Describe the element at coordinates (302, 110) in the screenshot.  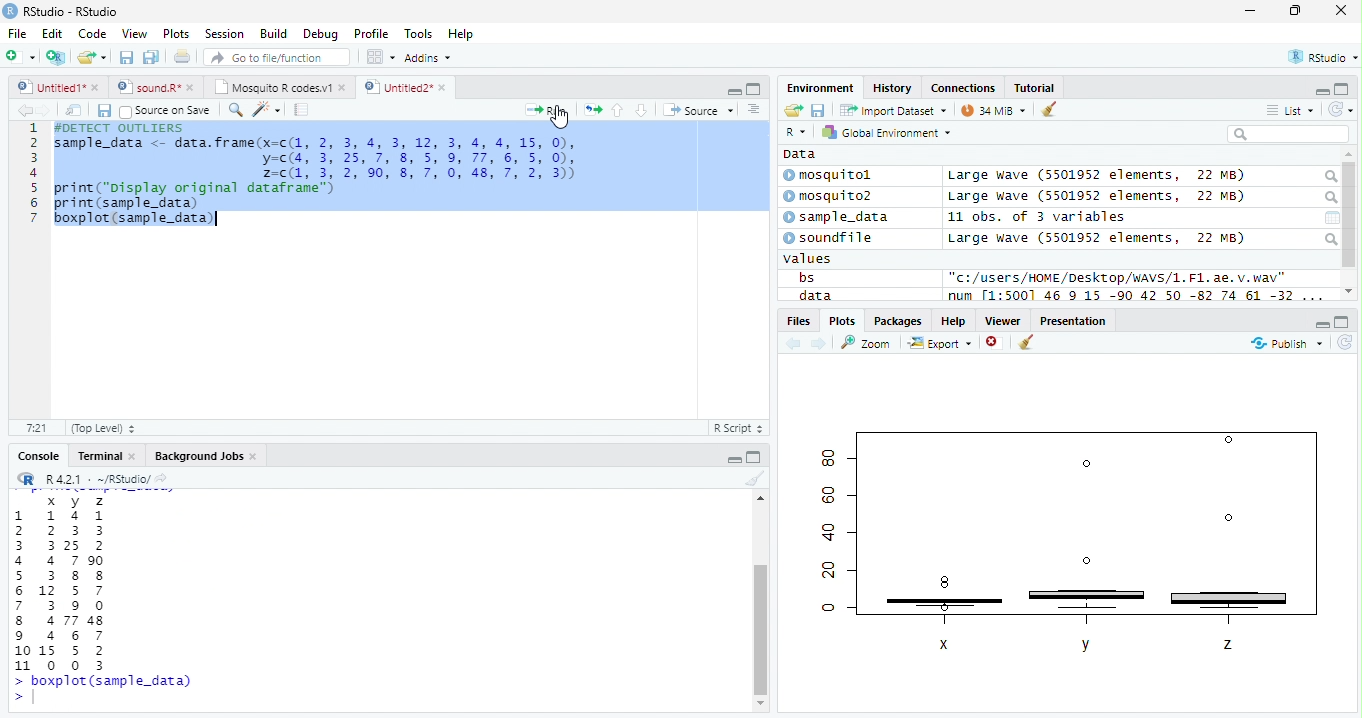
I see `Compile report` at that location.